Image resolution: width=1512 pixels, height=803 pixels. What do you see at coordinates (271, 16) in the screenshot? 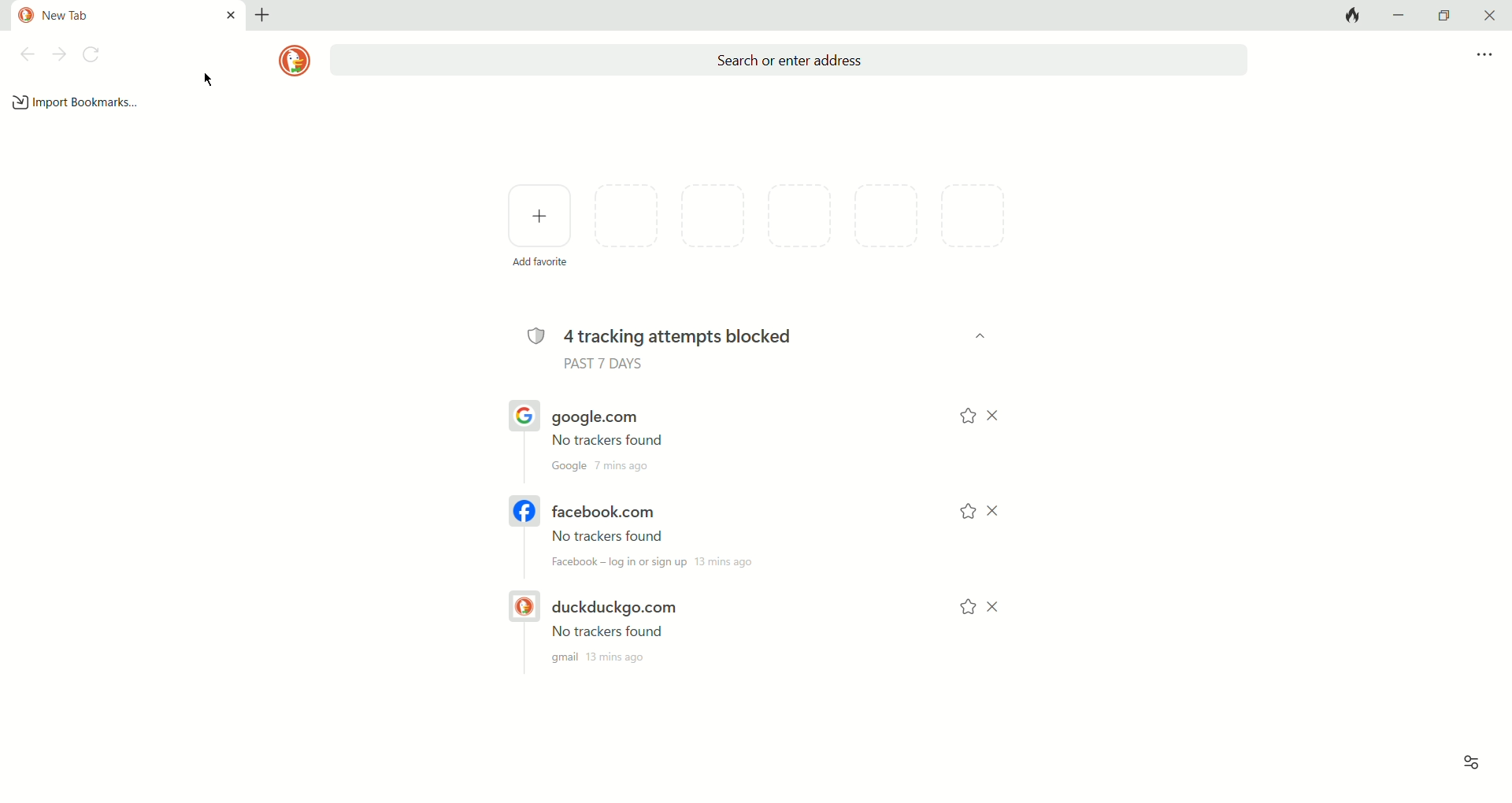
I see `add new tab` at bounding box center [271, 16].